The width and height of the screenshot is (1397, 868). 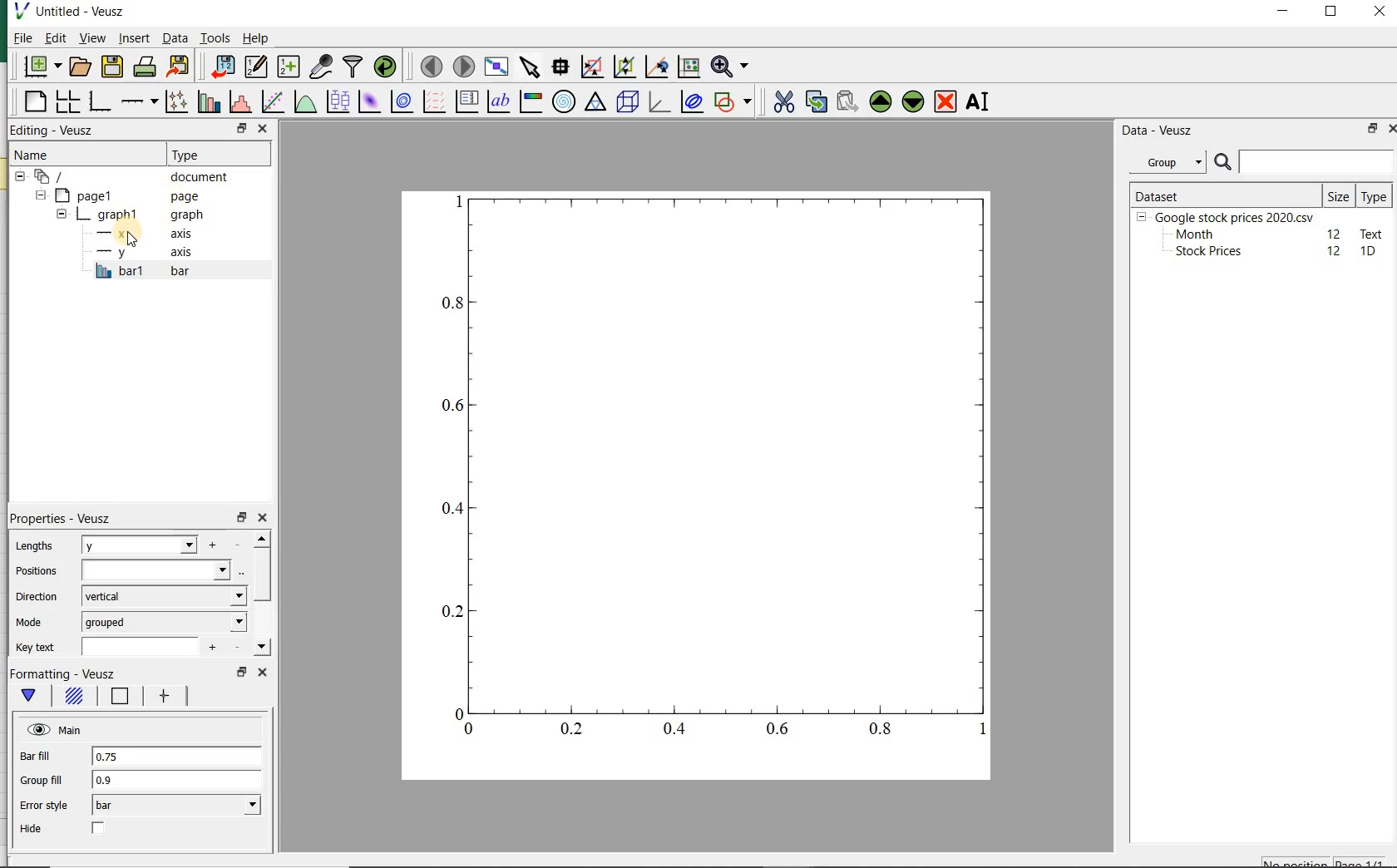 What do you see at coordinates (321, 67) in the screenshot?
I see `capture remote data` at bounding box center [321, 67].